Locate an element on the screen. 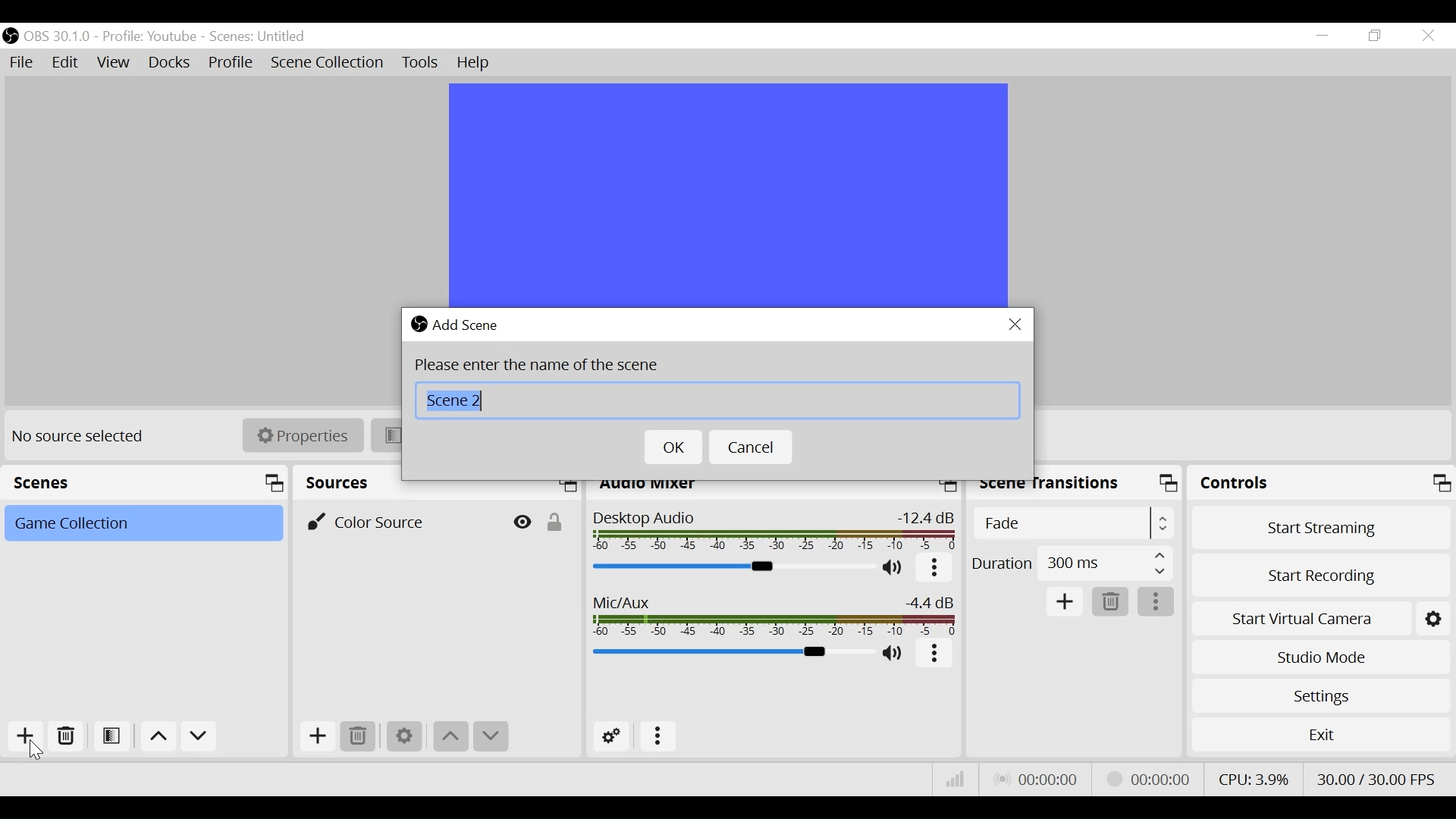 The image size is (1456, 819). Close is located at coordinates (1016, 324).